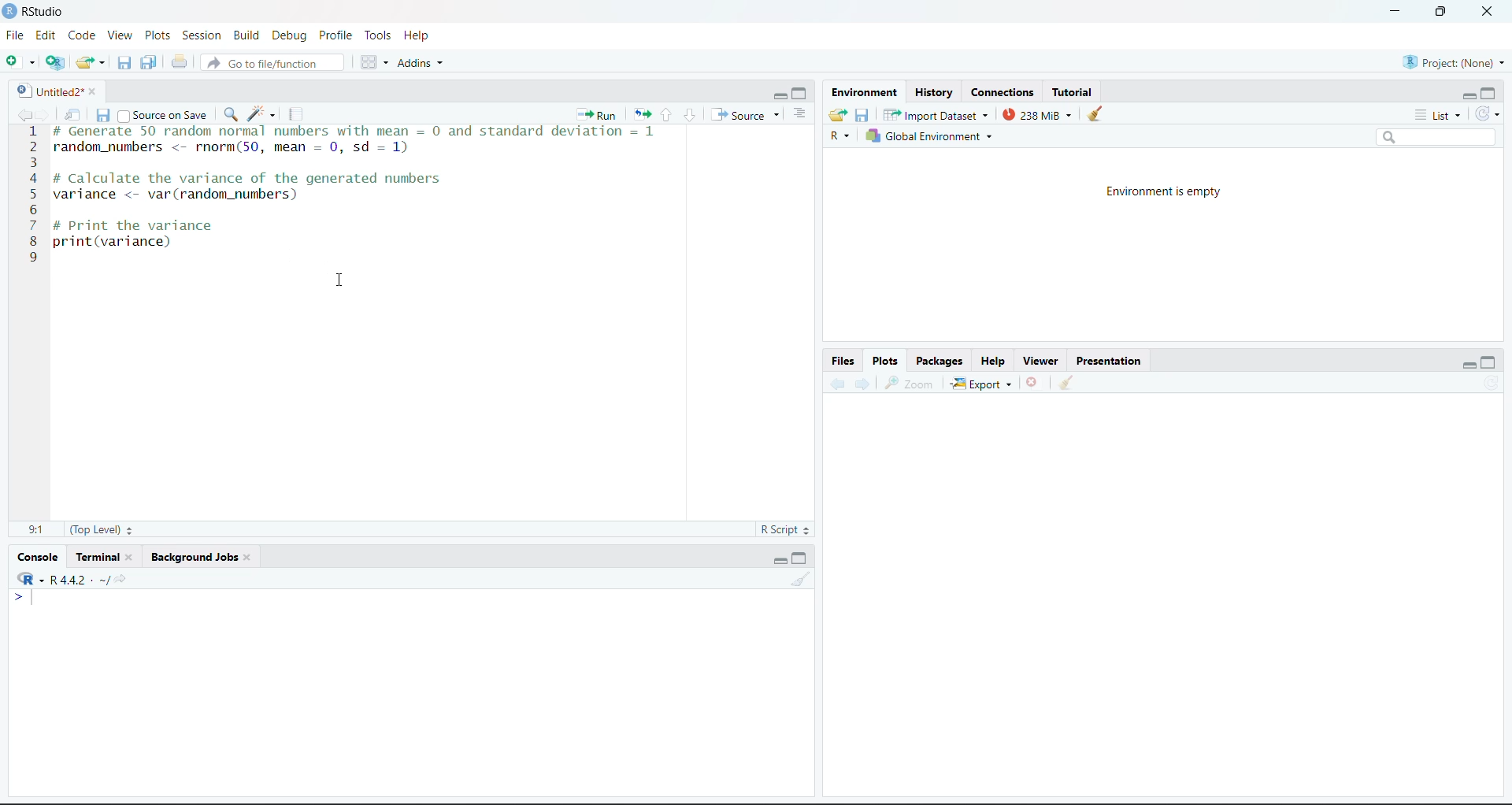 The height and width of the screenshot is (805, 1512). What do you see at coordinates (250, 557) in the screenshot?
I see `clear` at bounding box center [250, 557].